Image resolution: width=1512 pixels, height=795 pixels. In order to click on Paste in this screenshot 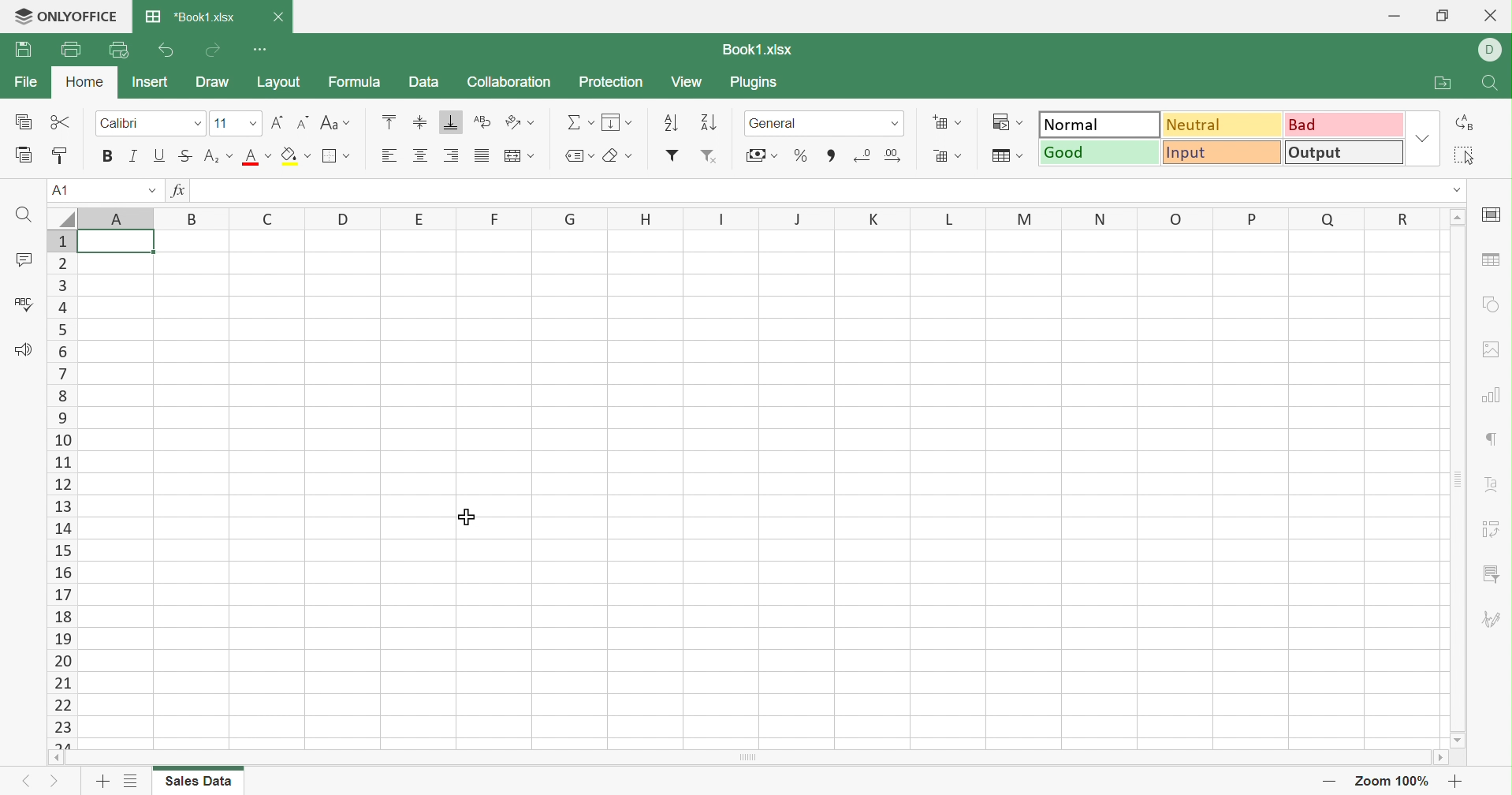, I will do `click(24, 153)`.